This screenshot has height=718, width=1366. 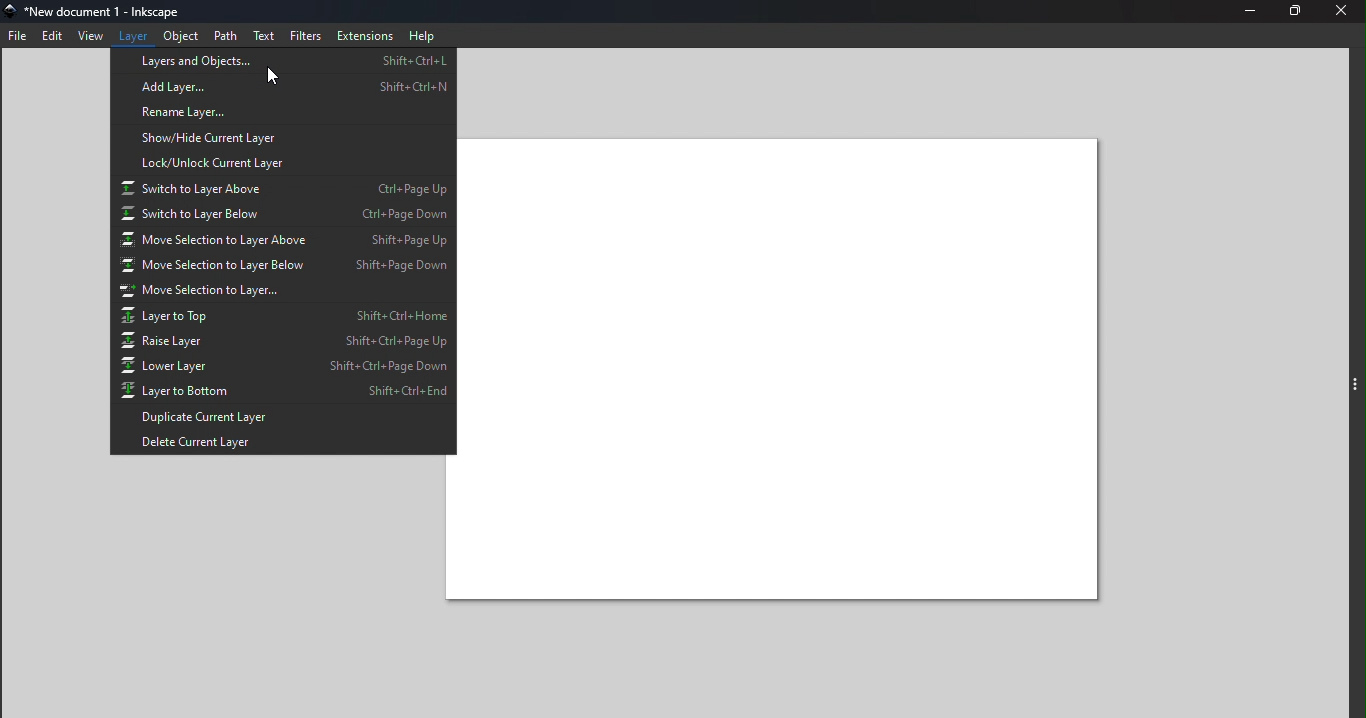 What do you see at coordinates (262, 35) in the screenshot?
I see `Text` at bounding box center [262, 35].